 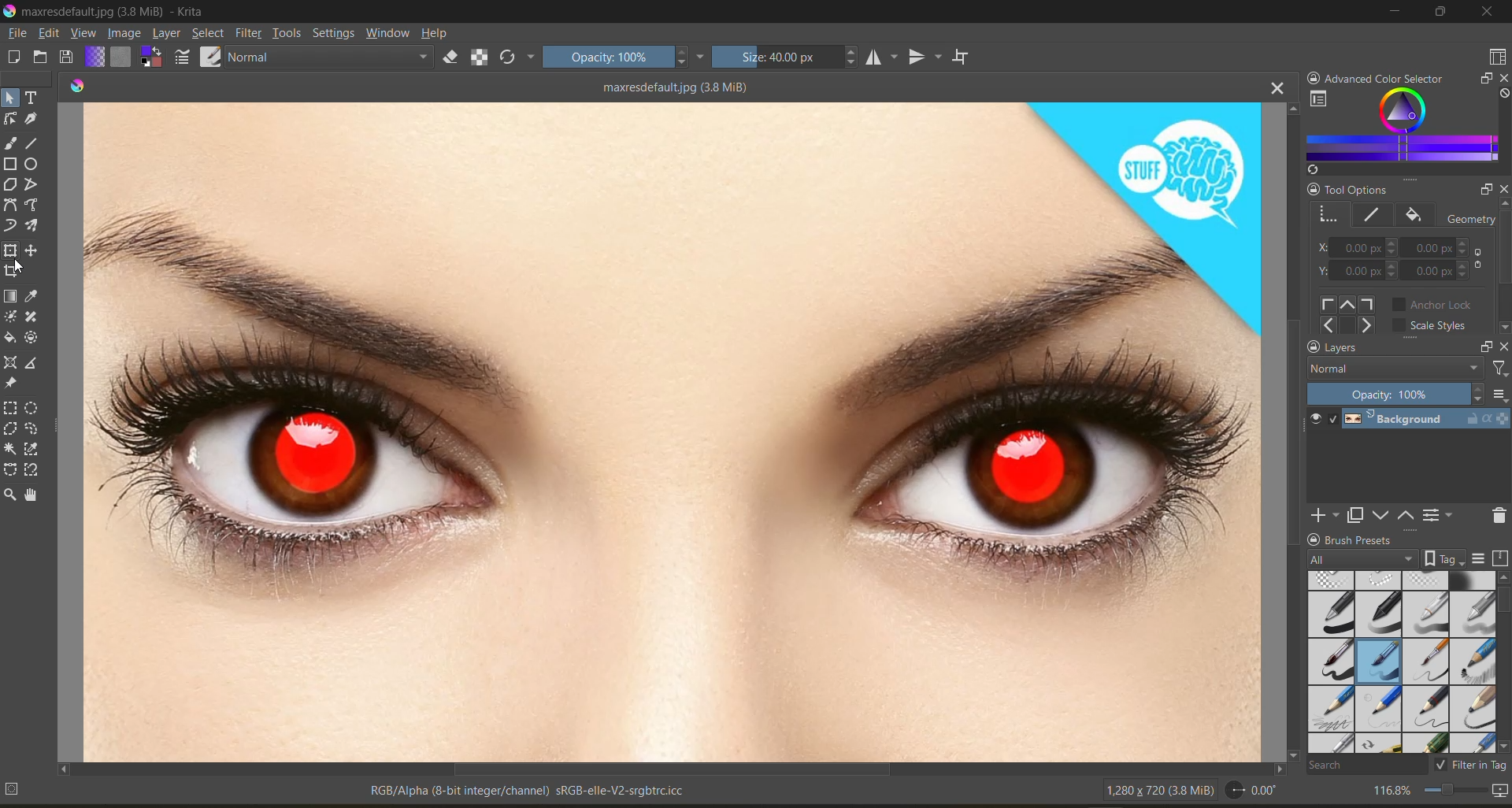 I want to click on layer, so click(x=1424, y=422).